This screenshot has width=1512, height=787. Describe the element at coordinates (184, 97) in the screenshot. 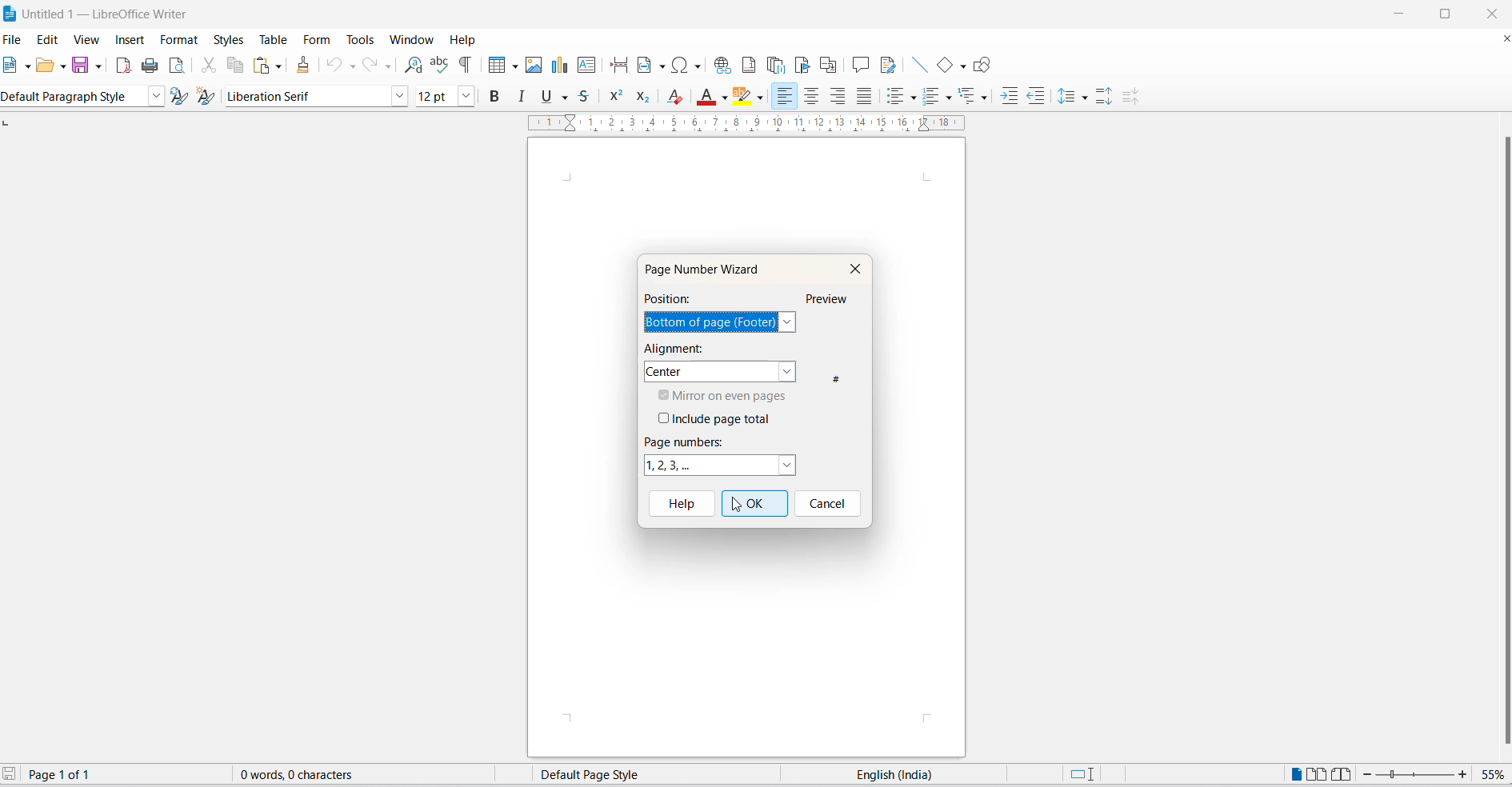

I see `update selected style` at that location.